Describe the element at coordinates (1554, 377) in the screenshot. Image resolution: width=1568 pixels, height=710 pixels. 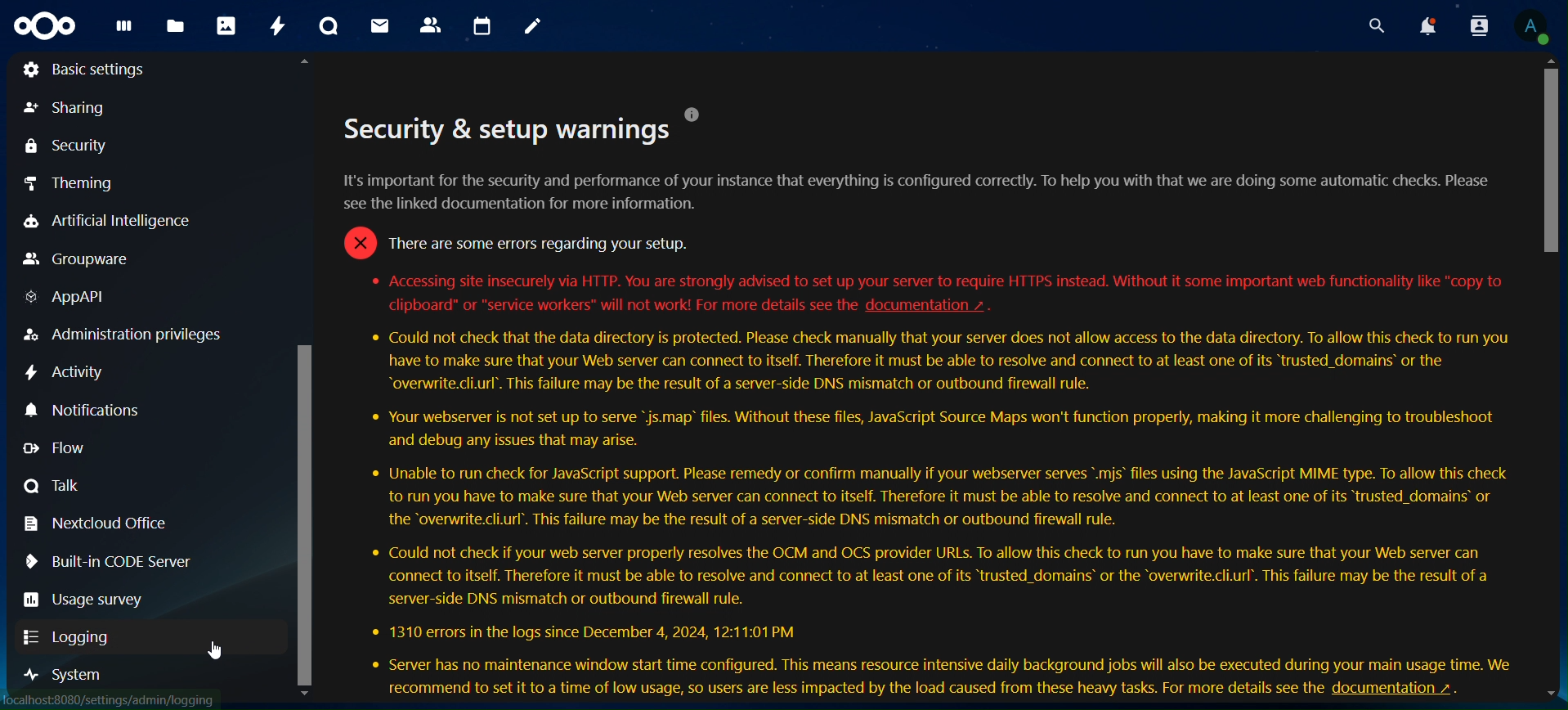
I see `scrollbar` at that location.